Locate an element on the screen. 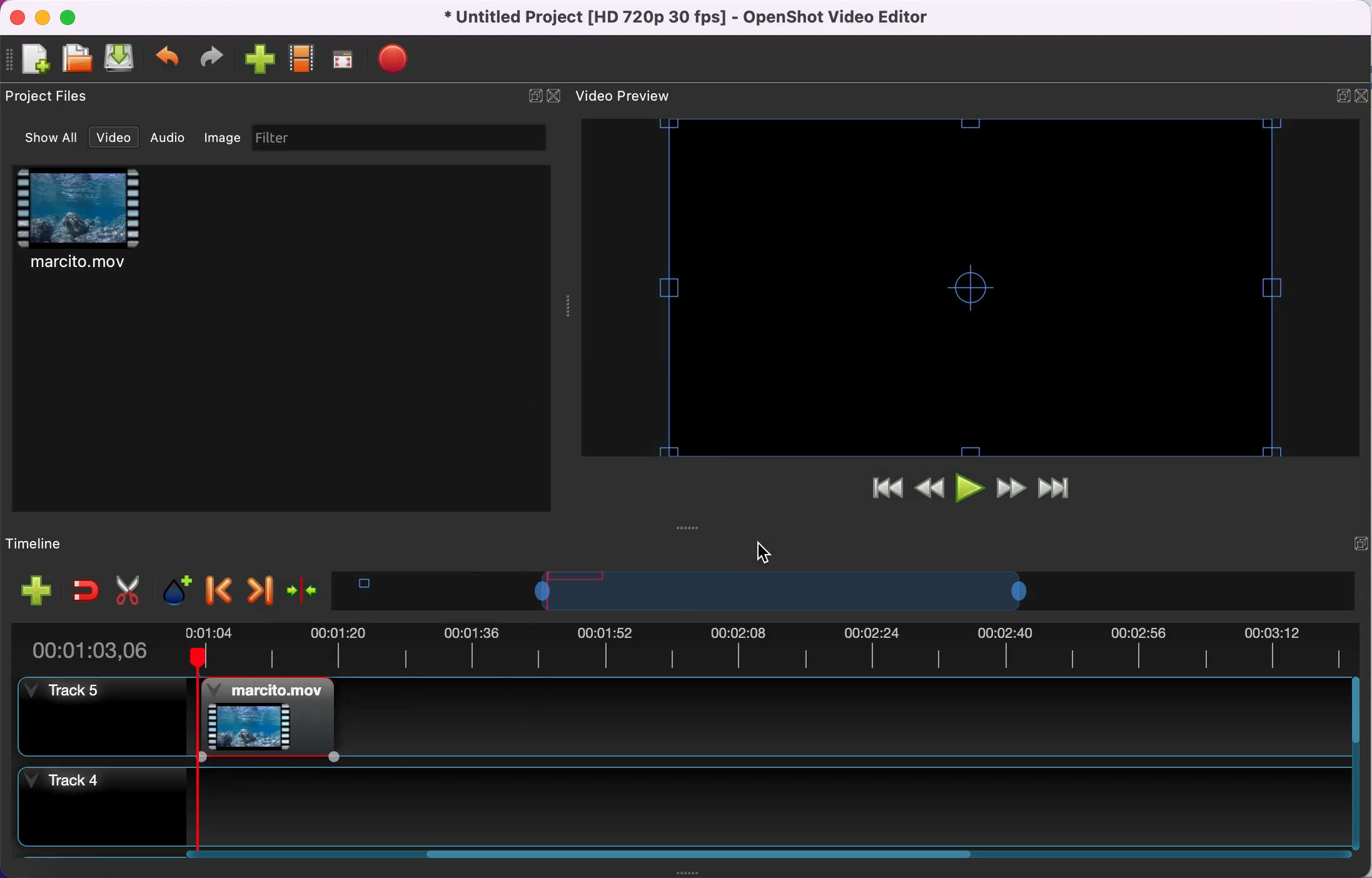  expand/hide is located at coordinates (1321, 95).